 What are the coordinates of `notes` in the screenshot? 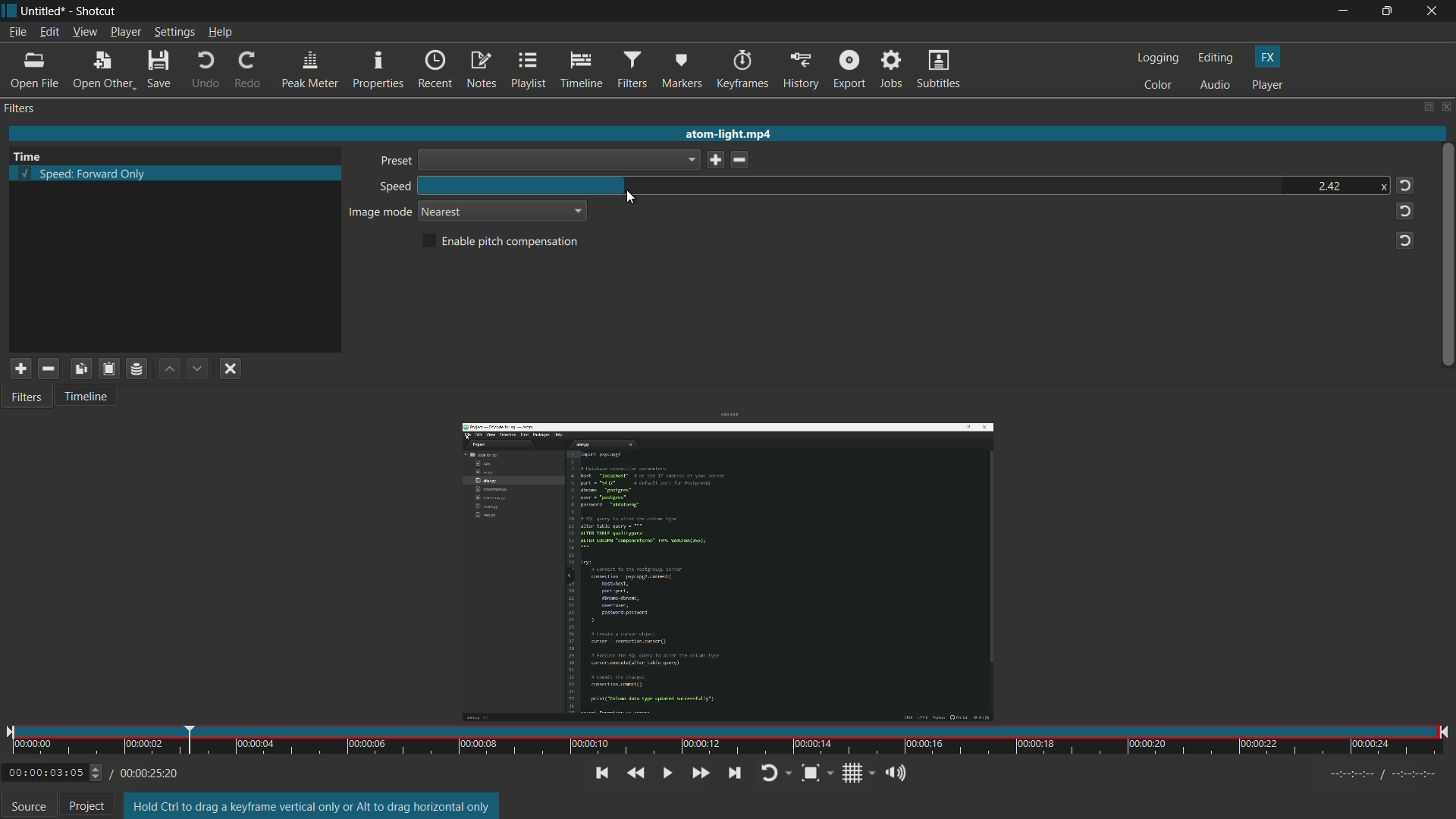 It's located at (483, 71).